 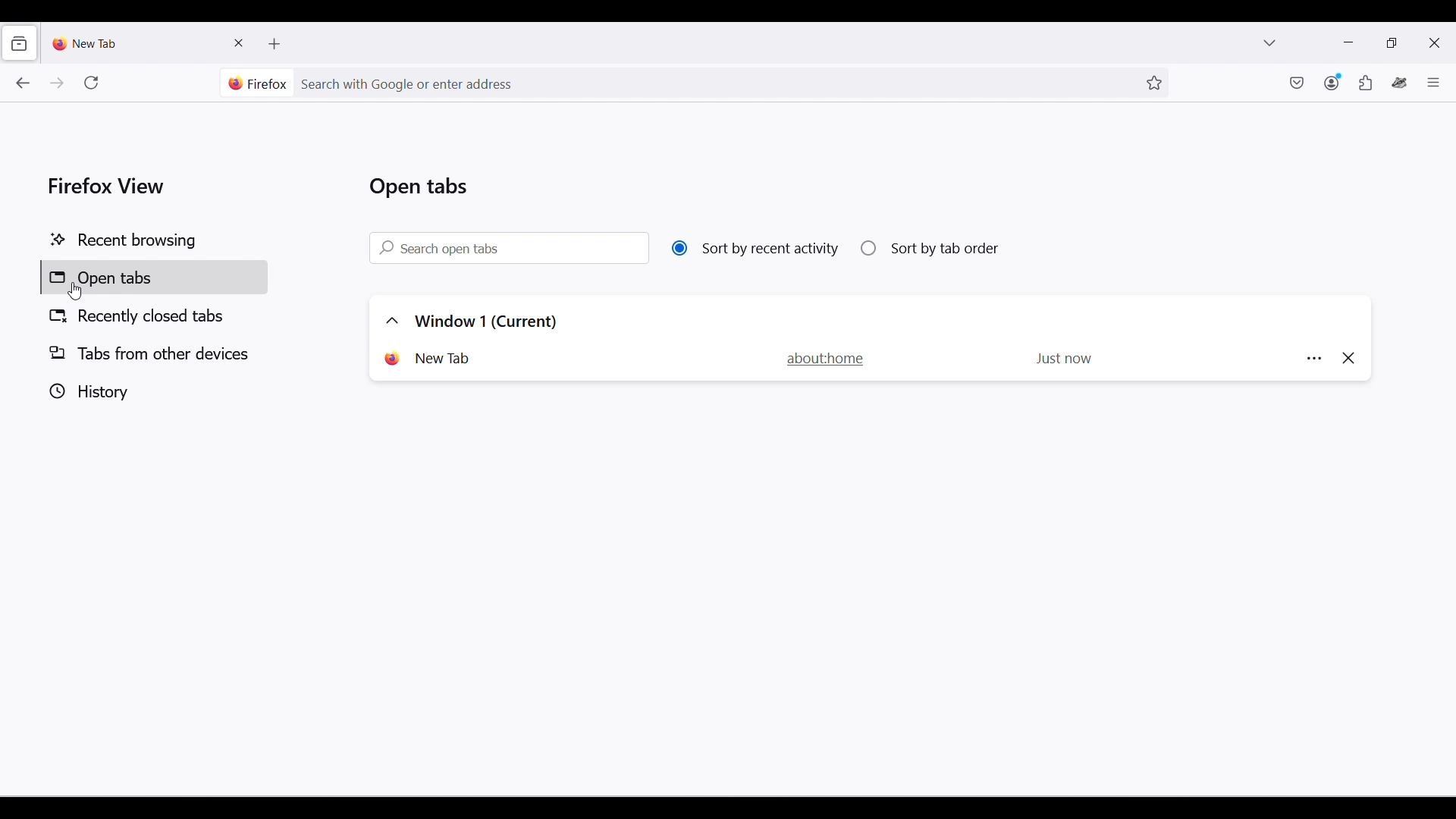 What do you see at coordinates (22, 83) in the screenshot?
I see `Go backward one page` at bounding box center [22, 83].